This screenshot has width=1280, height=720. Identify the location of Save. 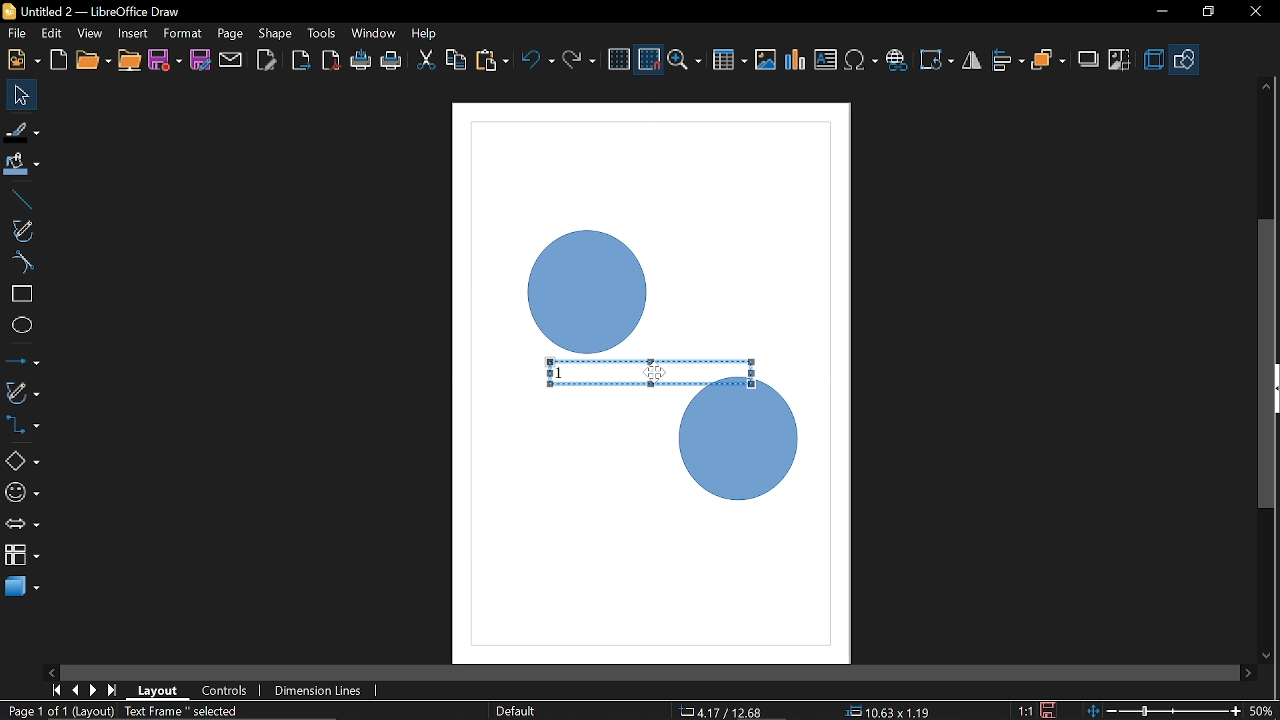
(1051, 710).